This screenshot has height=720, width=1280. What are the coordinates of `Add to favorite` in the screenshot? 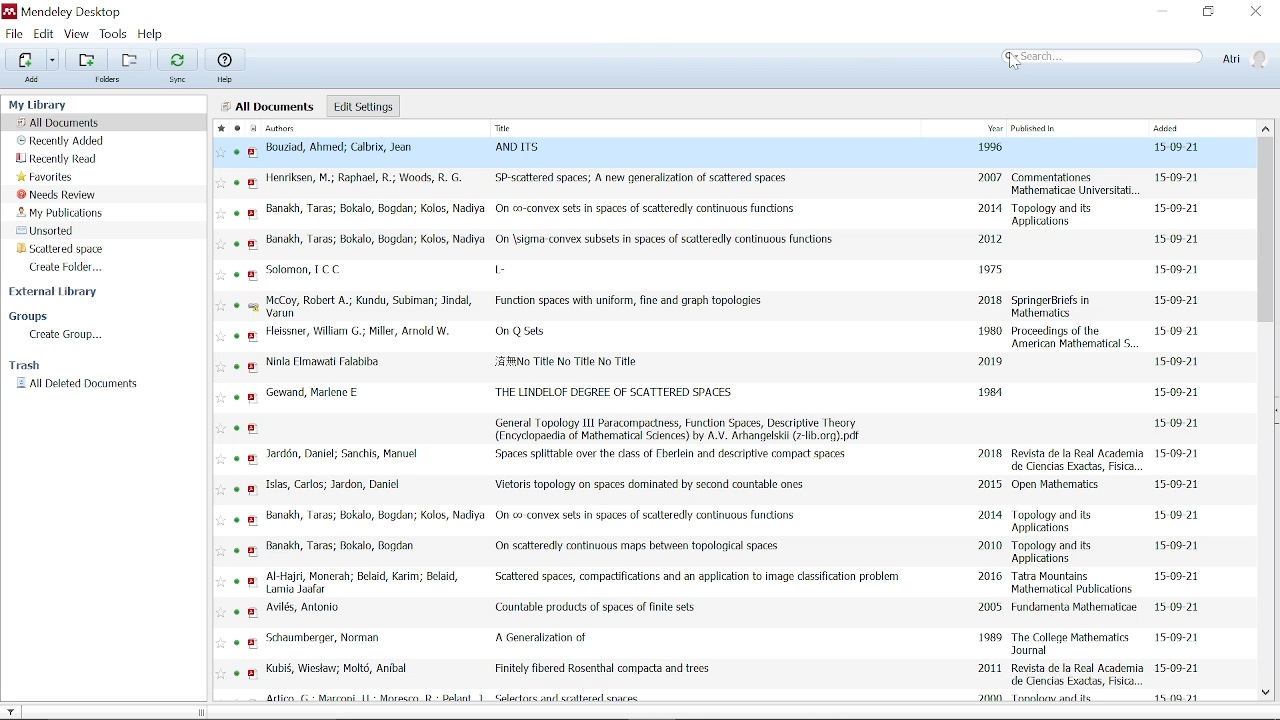 It's located at (221, 459).